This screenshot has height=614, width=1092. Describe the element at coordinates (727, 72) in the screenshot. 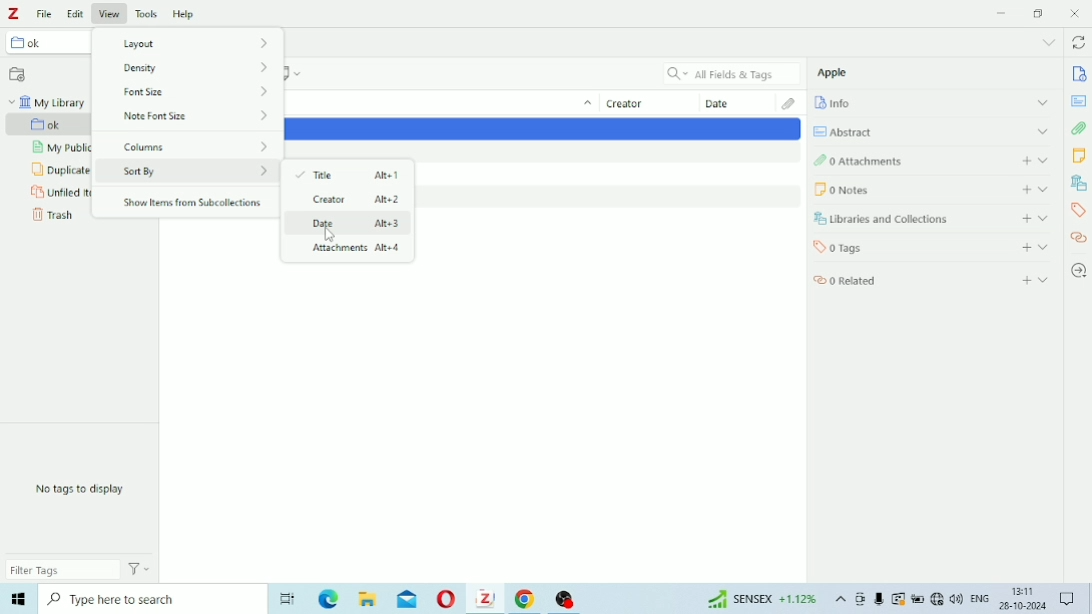

I see `Search All Fields & Tags` at that location.